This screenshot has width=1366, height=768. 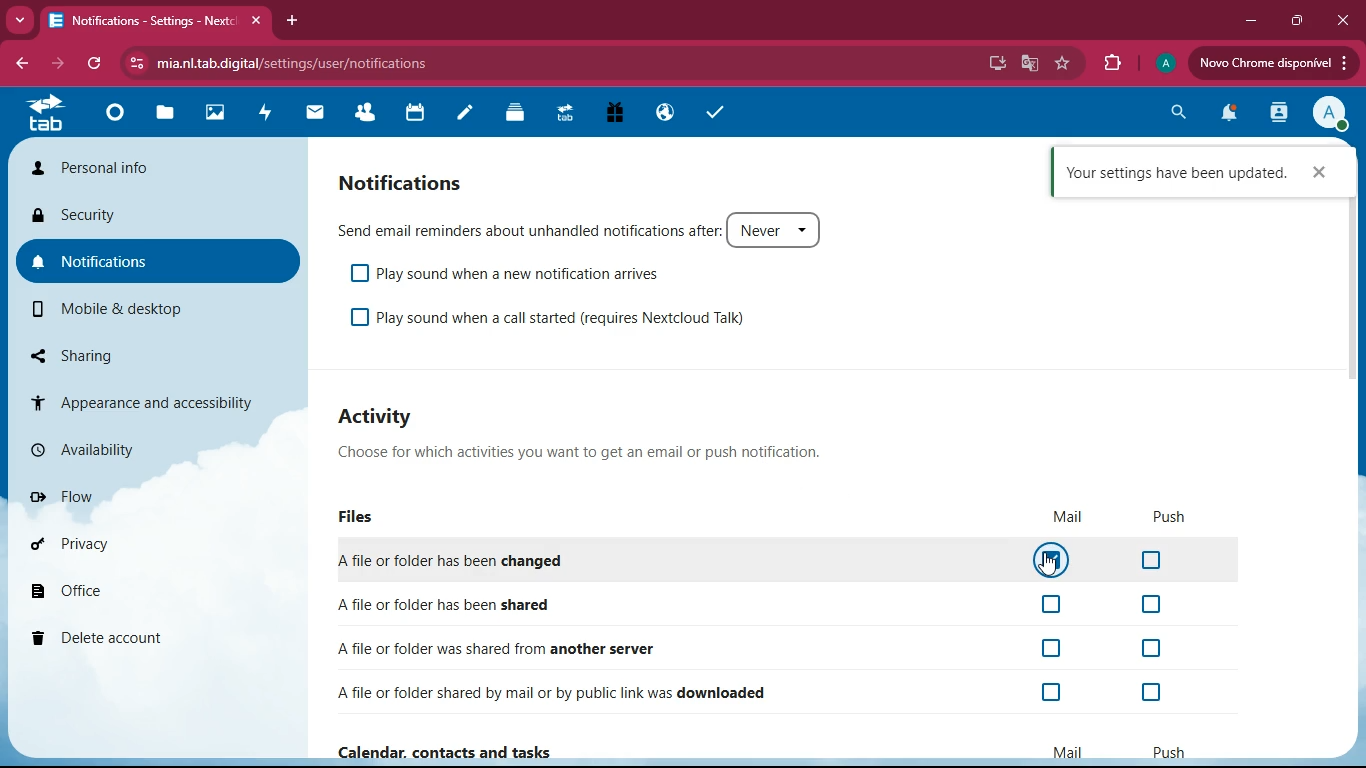 What do you see at coordinates (152, 166) in the screenshot?
I see `personal info` at bounding box center [152, 166].